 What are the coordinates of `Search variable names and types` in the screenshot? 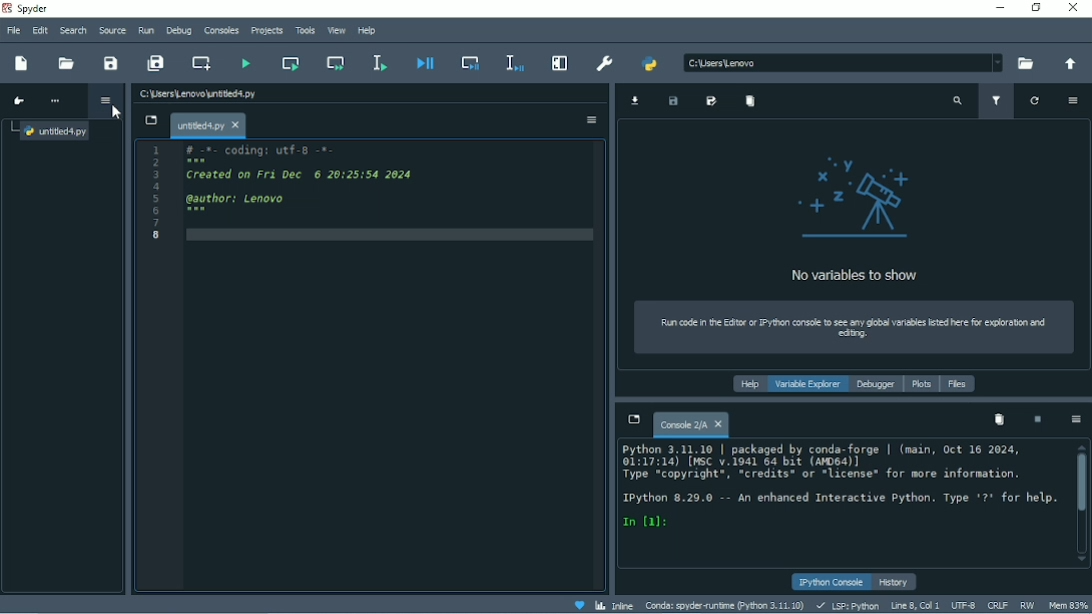 It's located at (958, 101).